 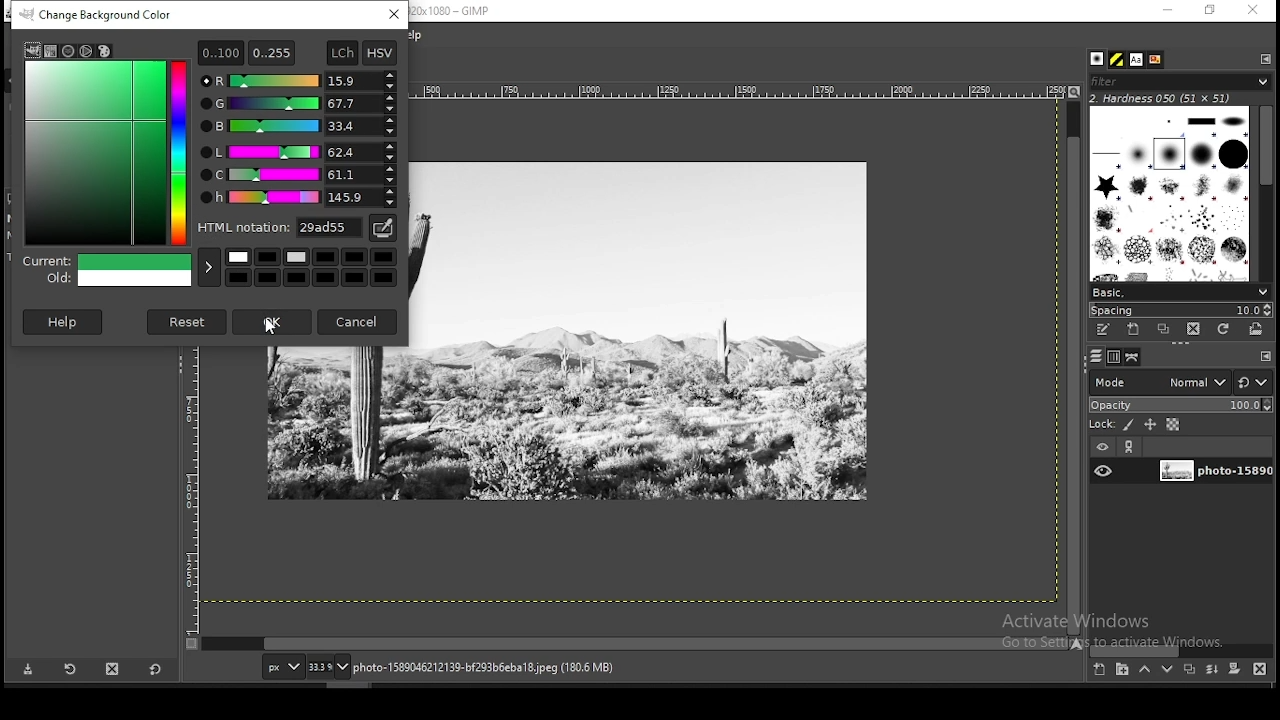 I want to click on watercolor, so click(x=70, y=51).